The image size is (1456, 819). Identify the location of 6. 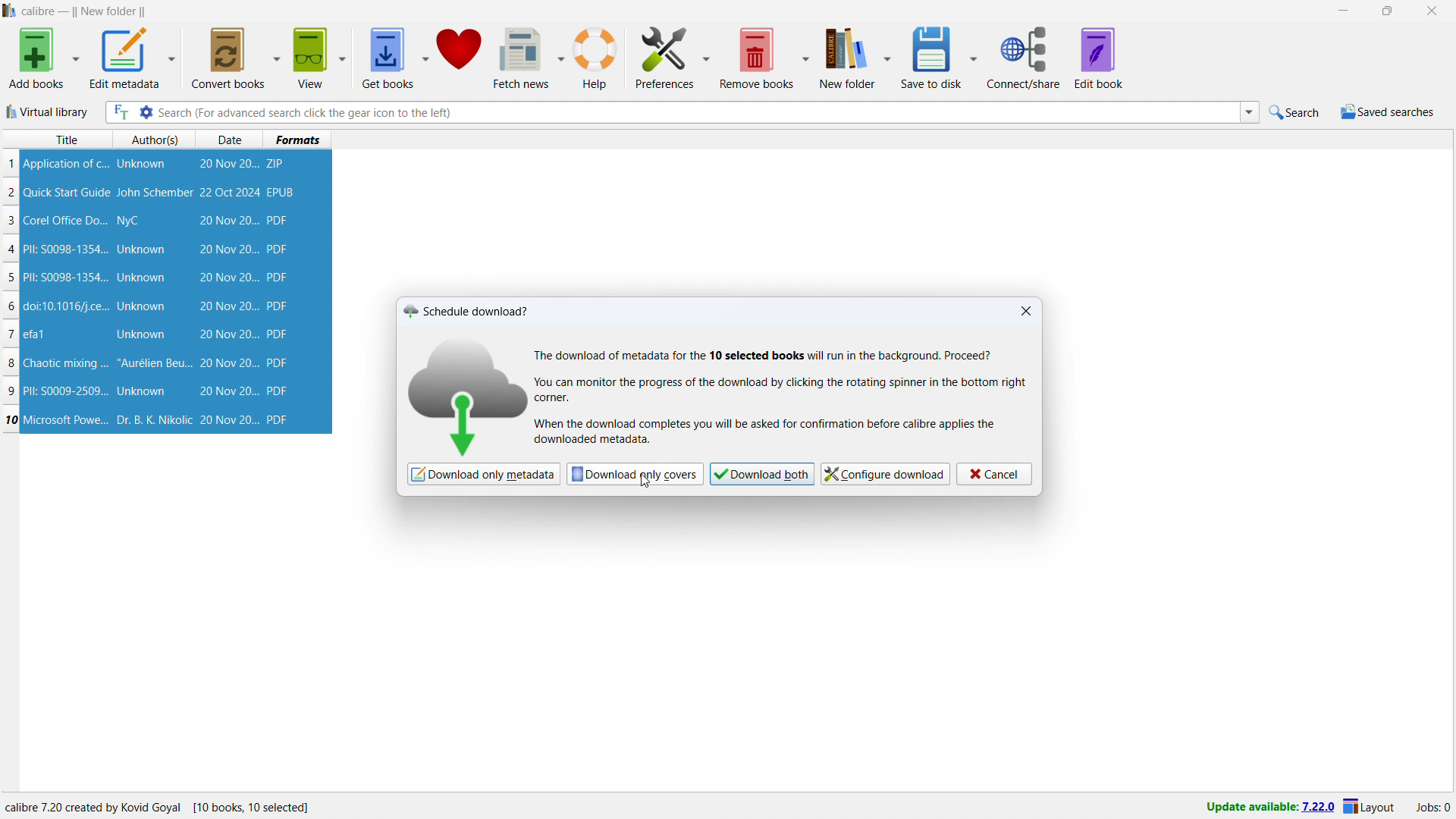
(10, 307).